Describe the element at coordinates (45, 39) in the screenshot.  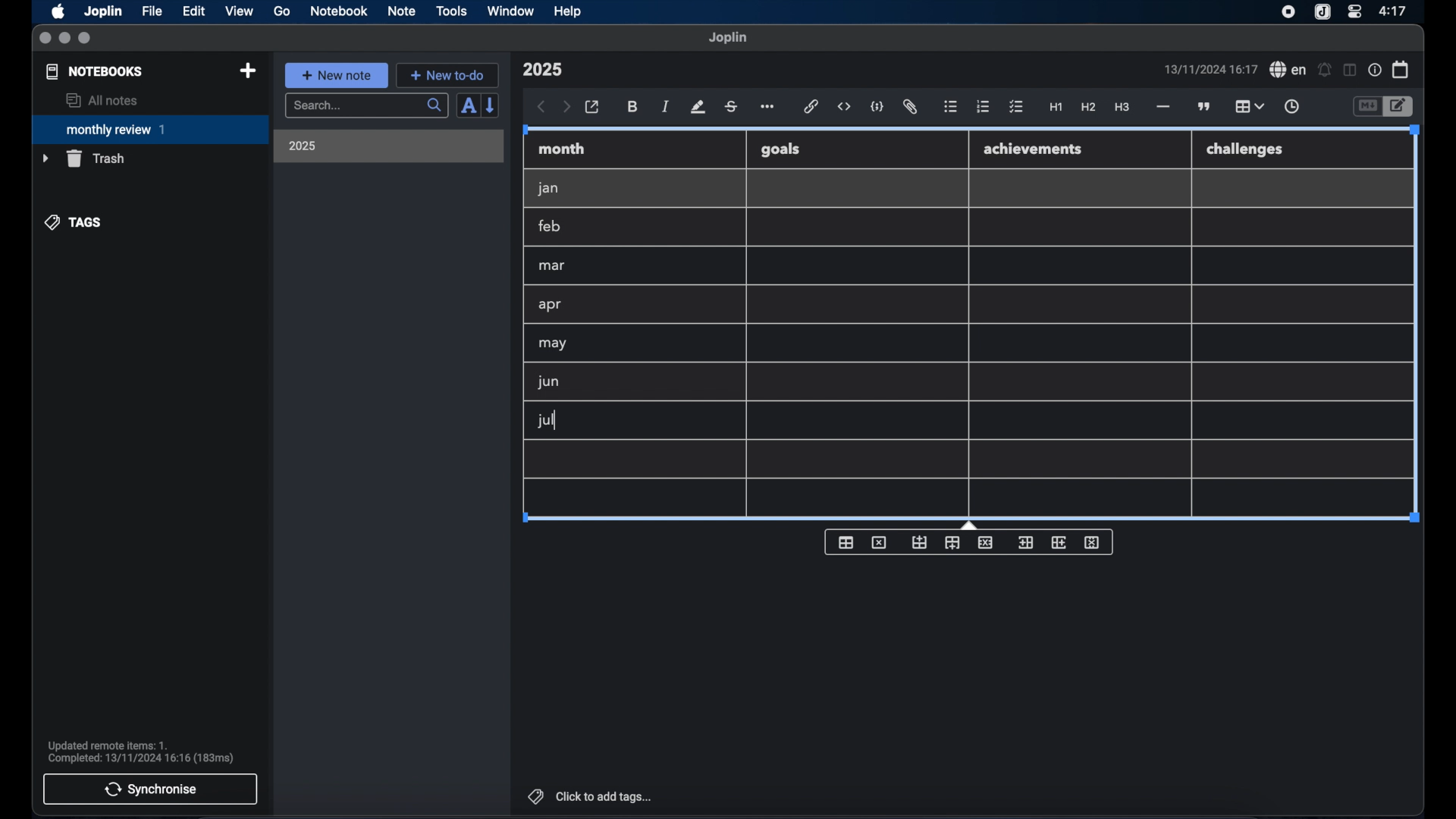
I see `close` at that location.